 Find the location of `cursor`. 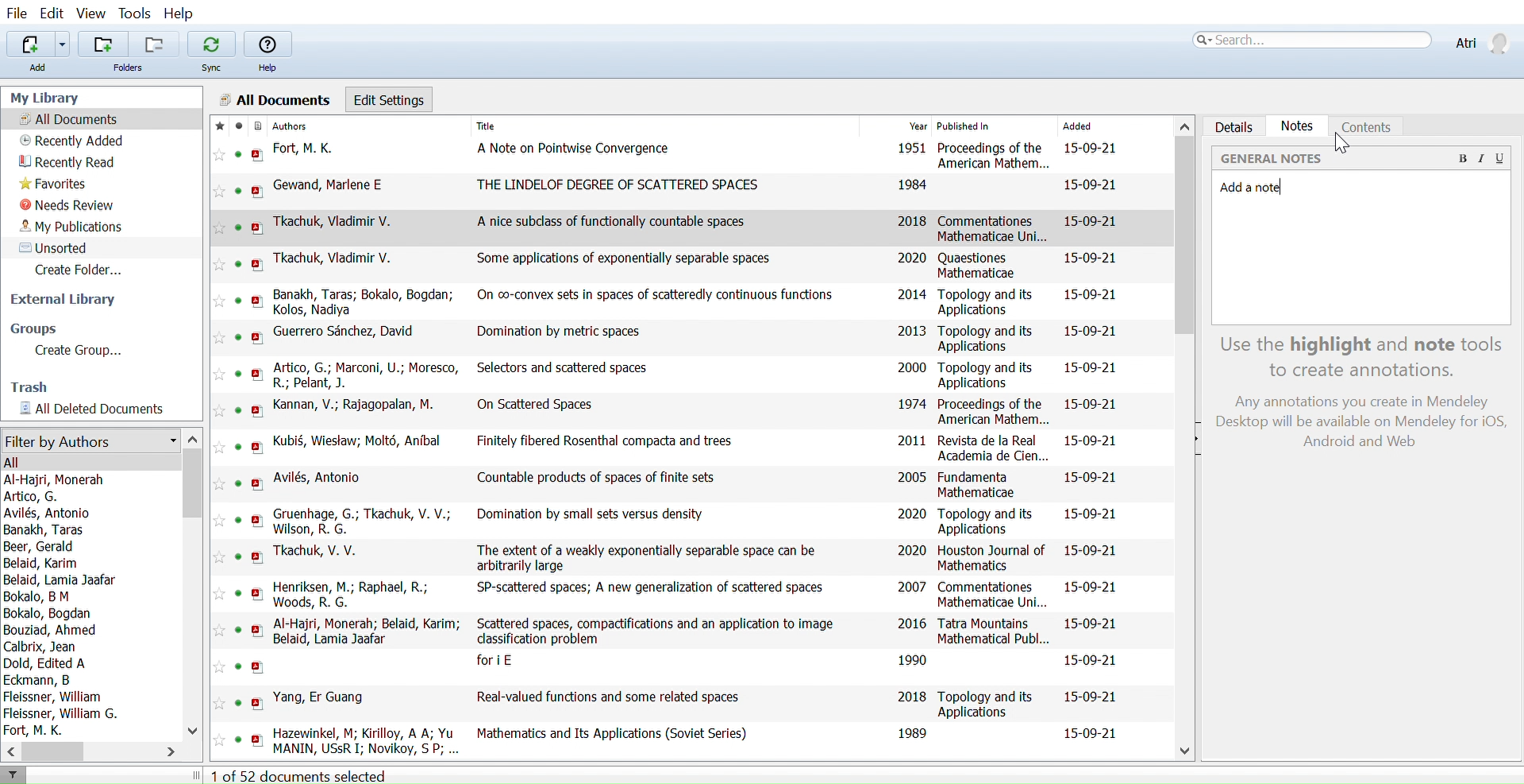

cursor is located at coordinates (1342, 143).